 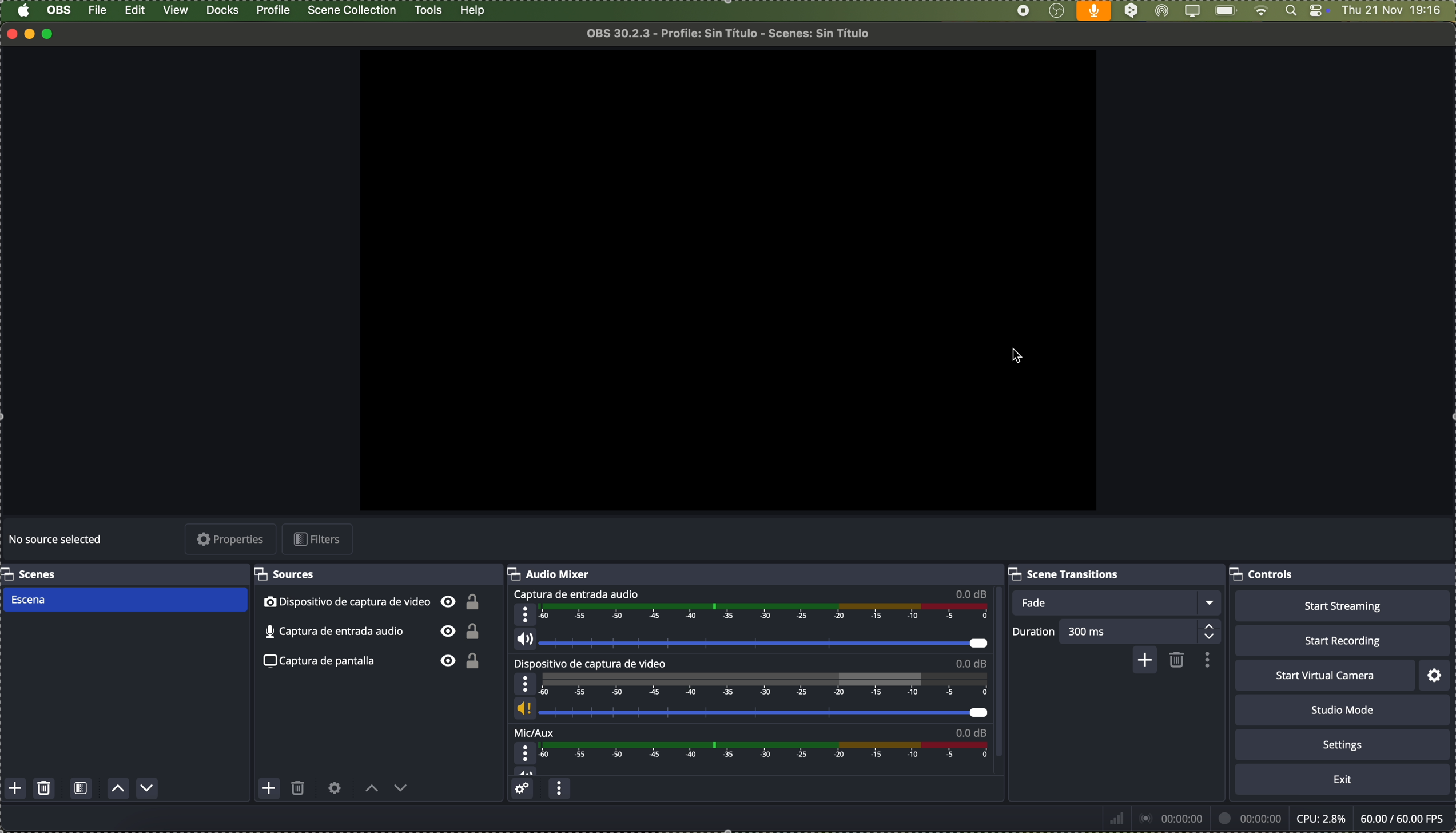 I want to click on transition properties, so click(x=1206, y=660).